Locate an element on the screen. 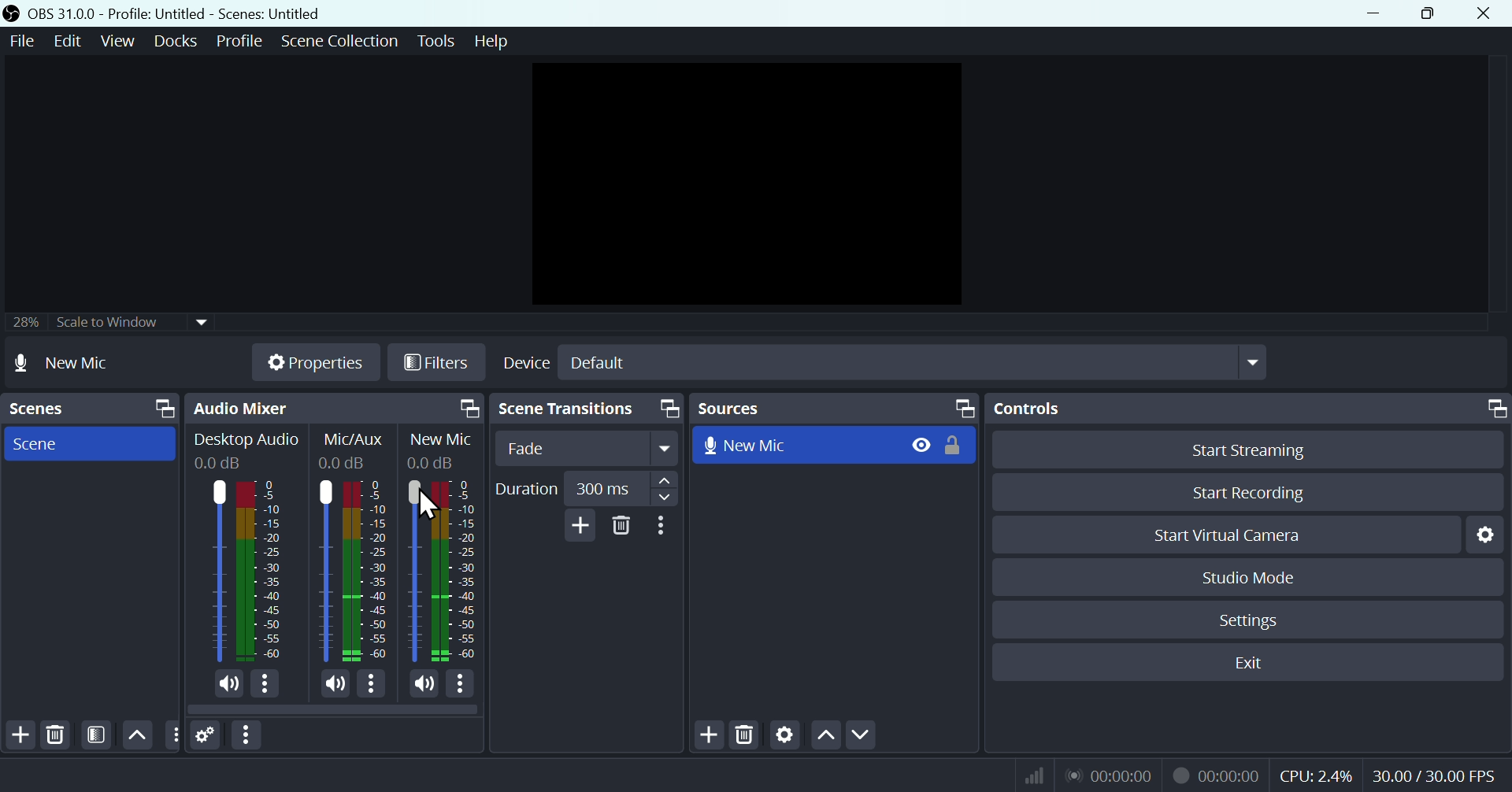 Image resolution: width=1512 pixels, height=792 pixels. Mic is located at coordinates (413, 572).